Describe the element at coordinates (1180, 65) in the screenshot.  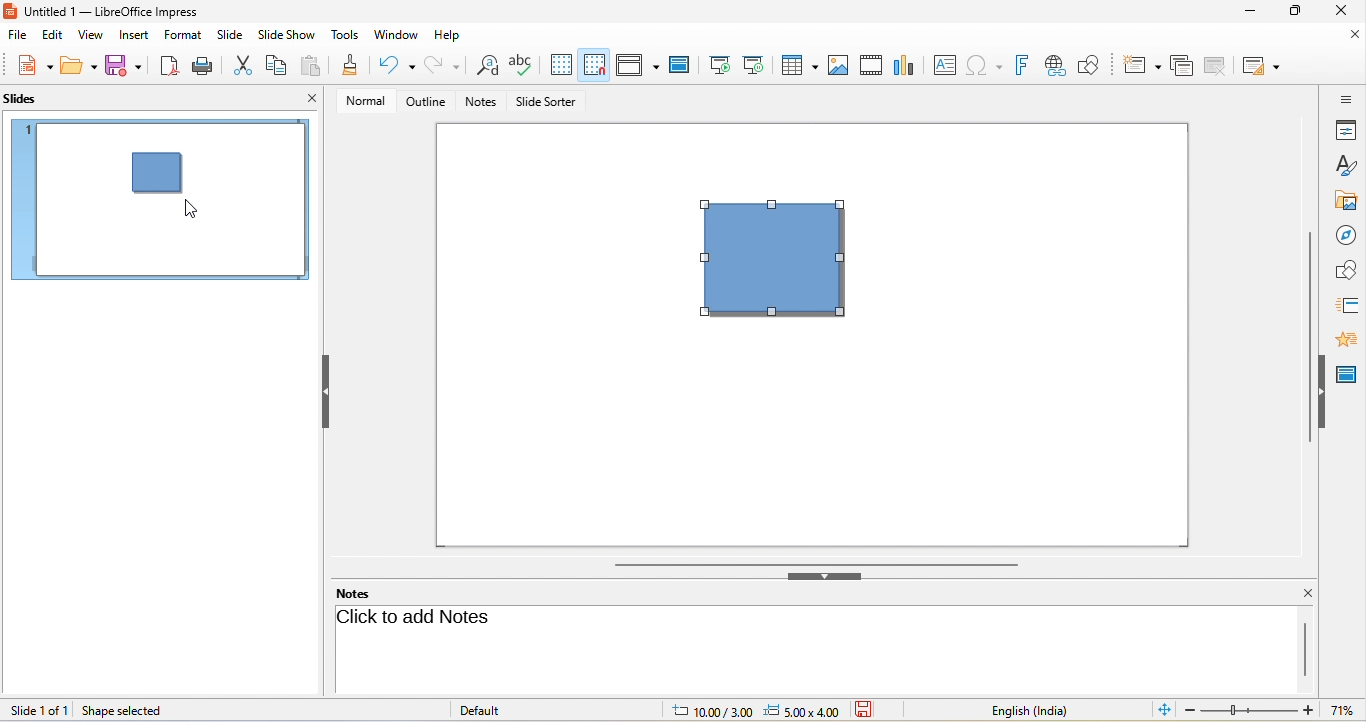
I see `duplicate slide` at that location.